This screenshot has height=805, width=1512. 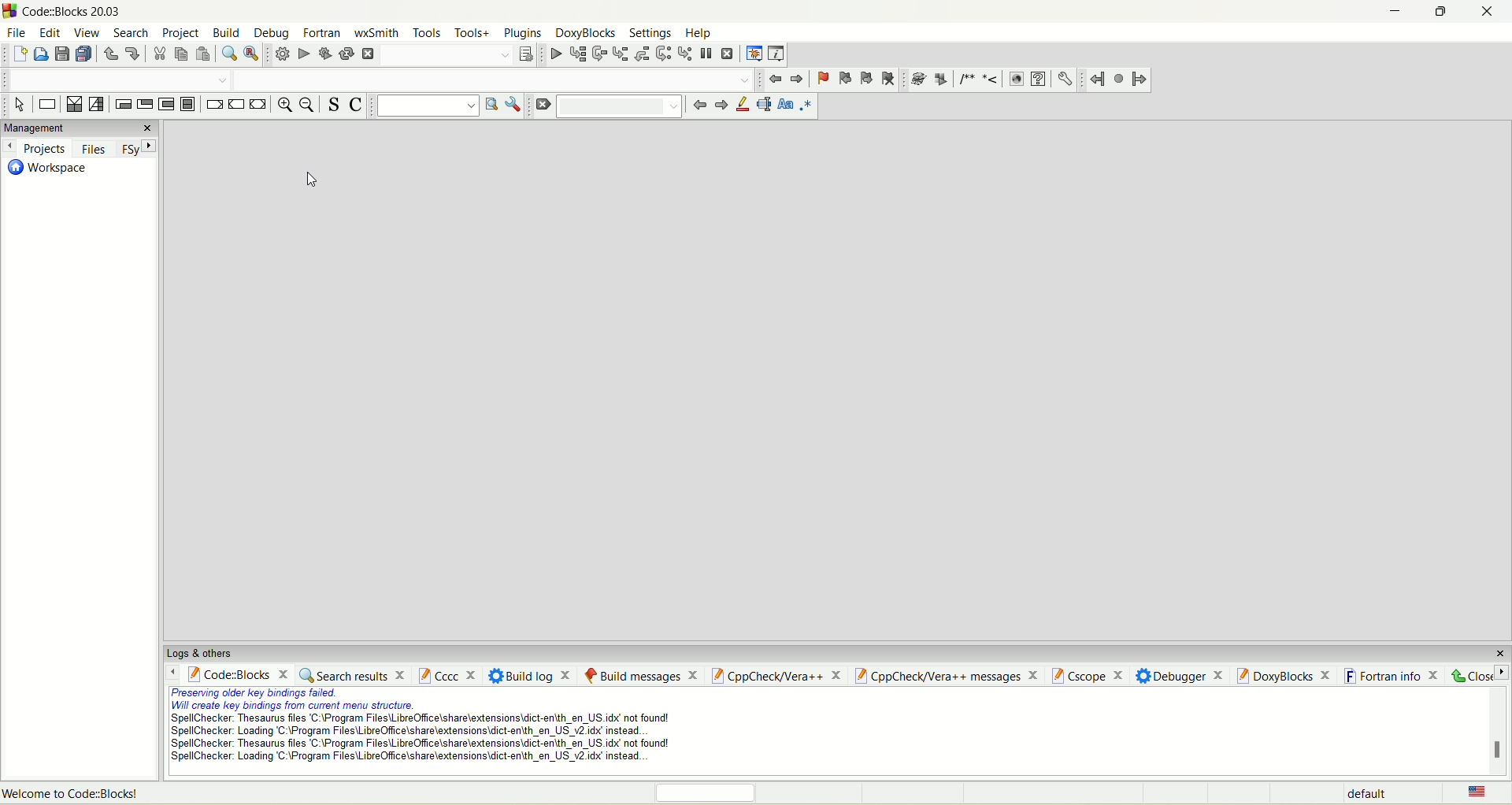 I want to click on zoom in, so click(x=282, y=106).